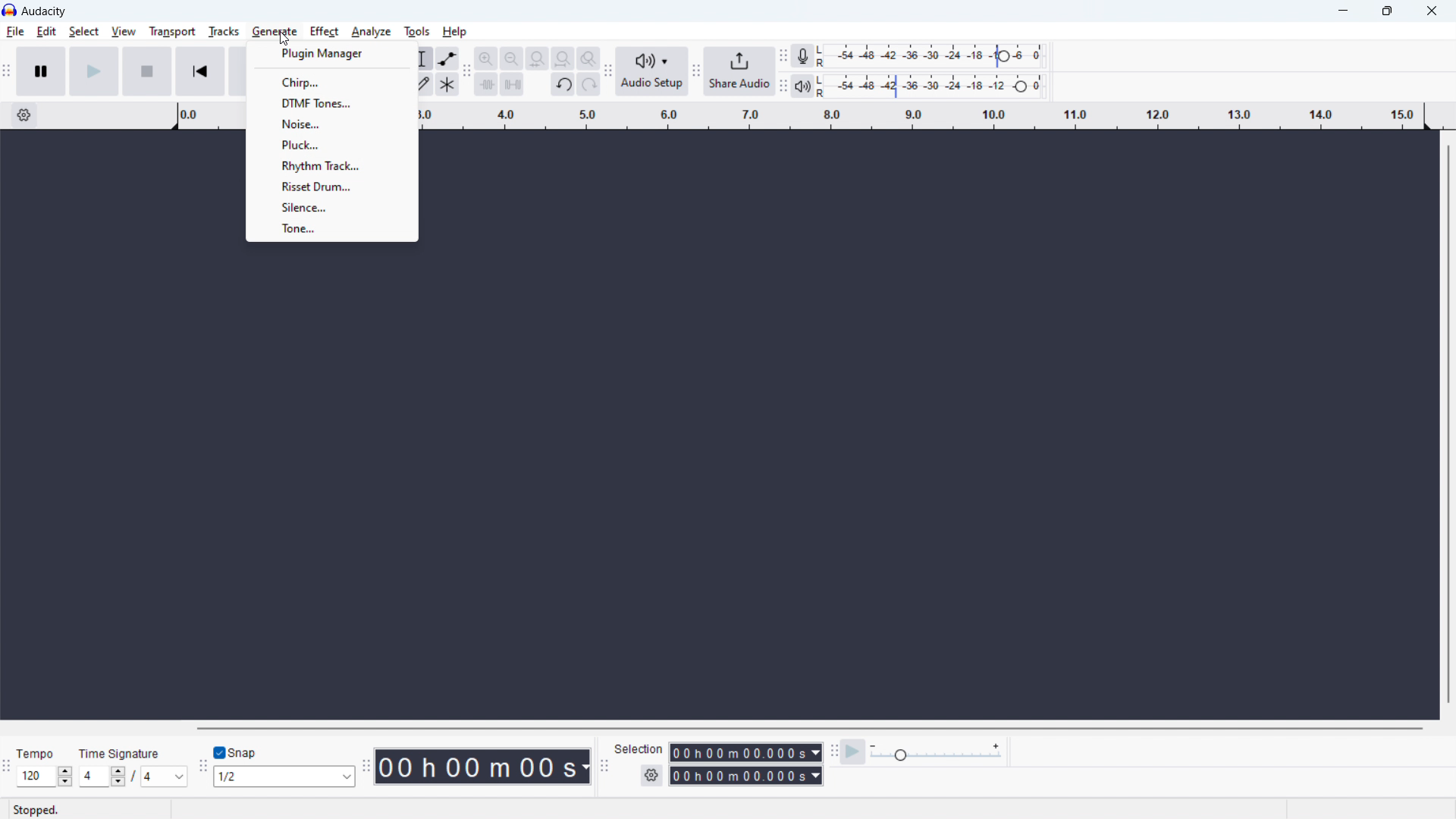 Image resolution: width=1456 pixels, height=819 pixels. I want to click on risset drum..., so click(333, 186).